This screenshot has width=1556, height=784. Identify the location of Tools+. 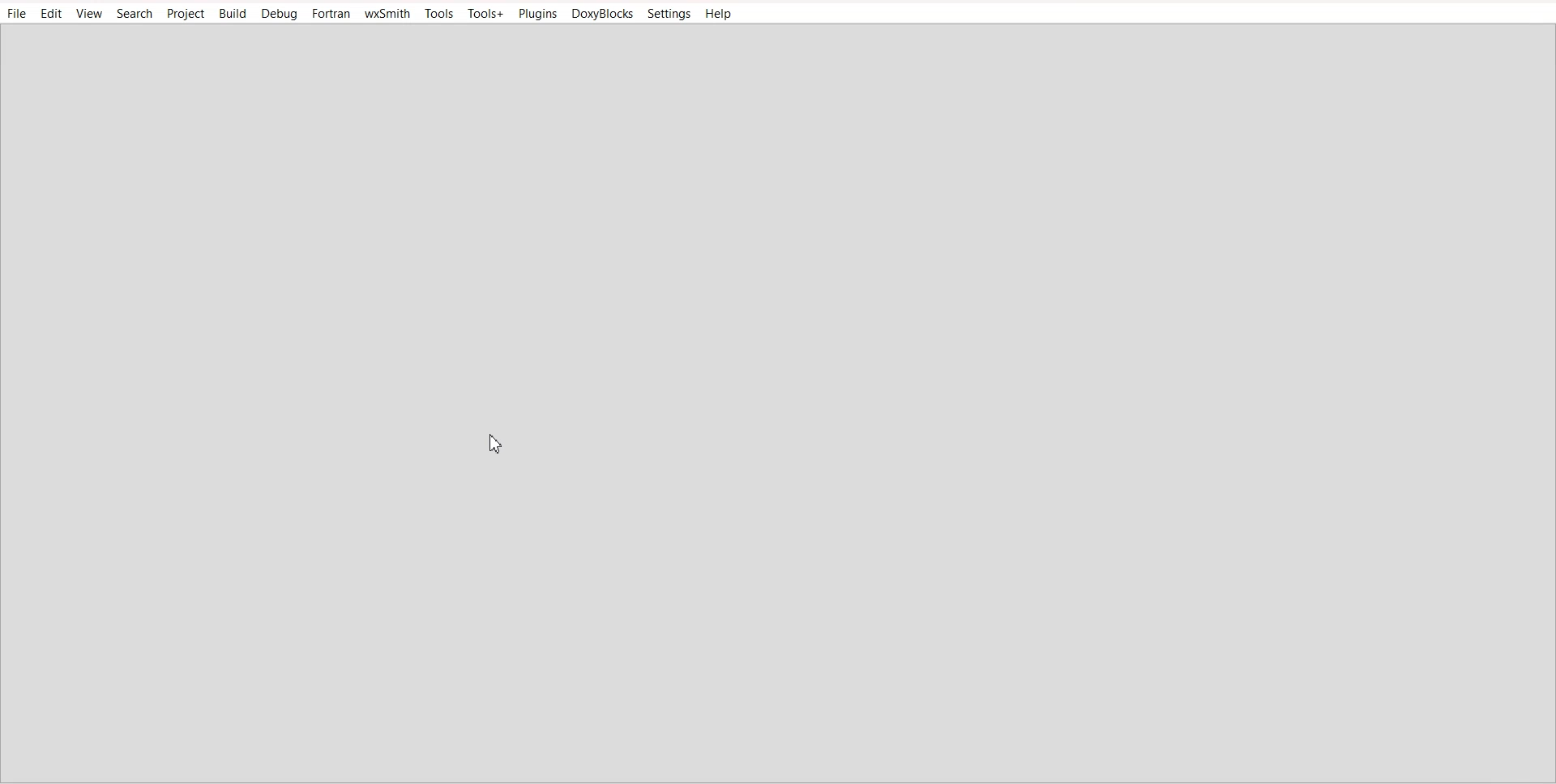
(486, 13).